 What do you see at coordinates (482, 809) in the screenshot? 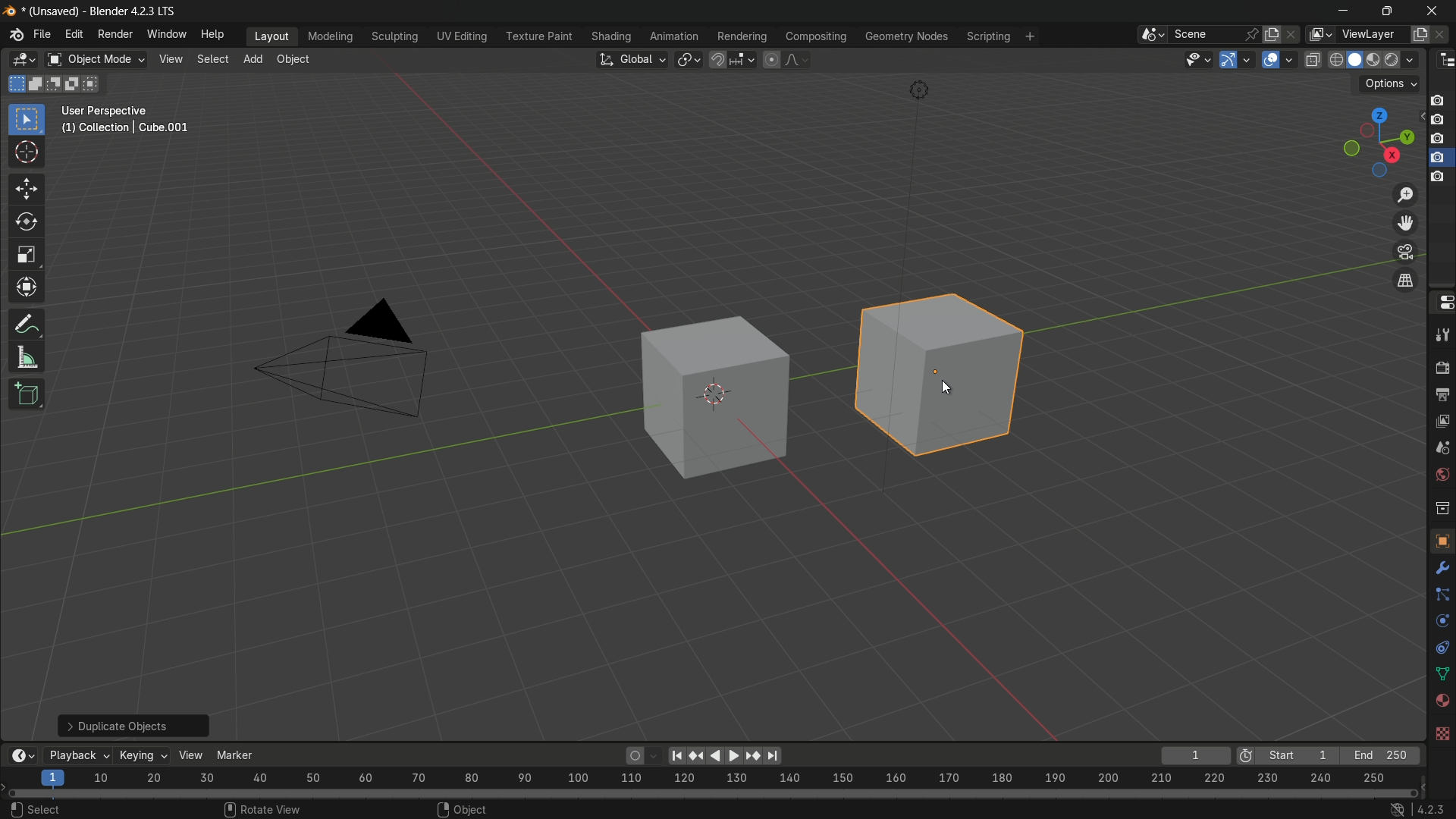
I see `Snap Invert` at bounding box center [482, 809].